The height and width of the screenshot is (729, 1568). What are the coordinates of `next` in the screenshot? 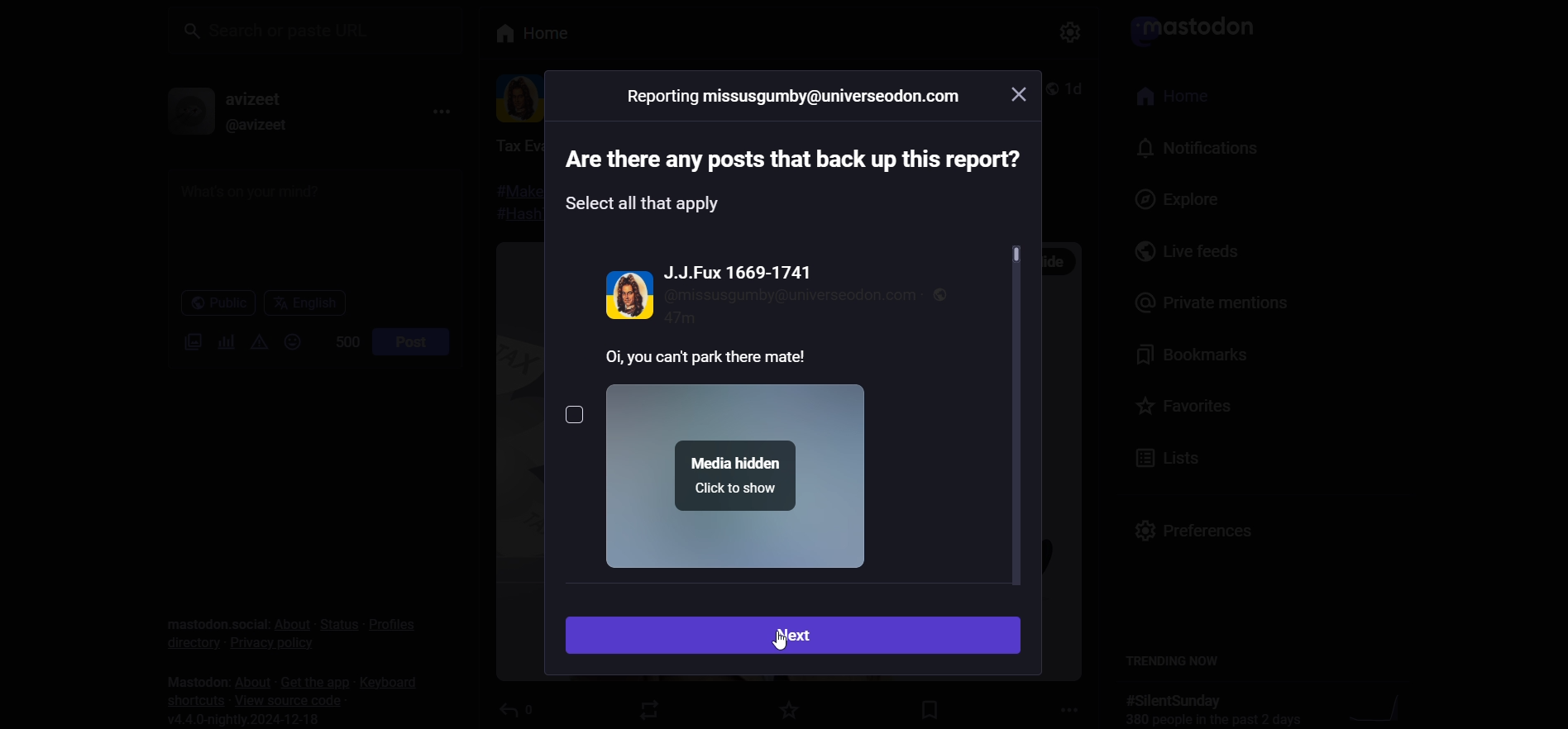 It's located at (795, 636).